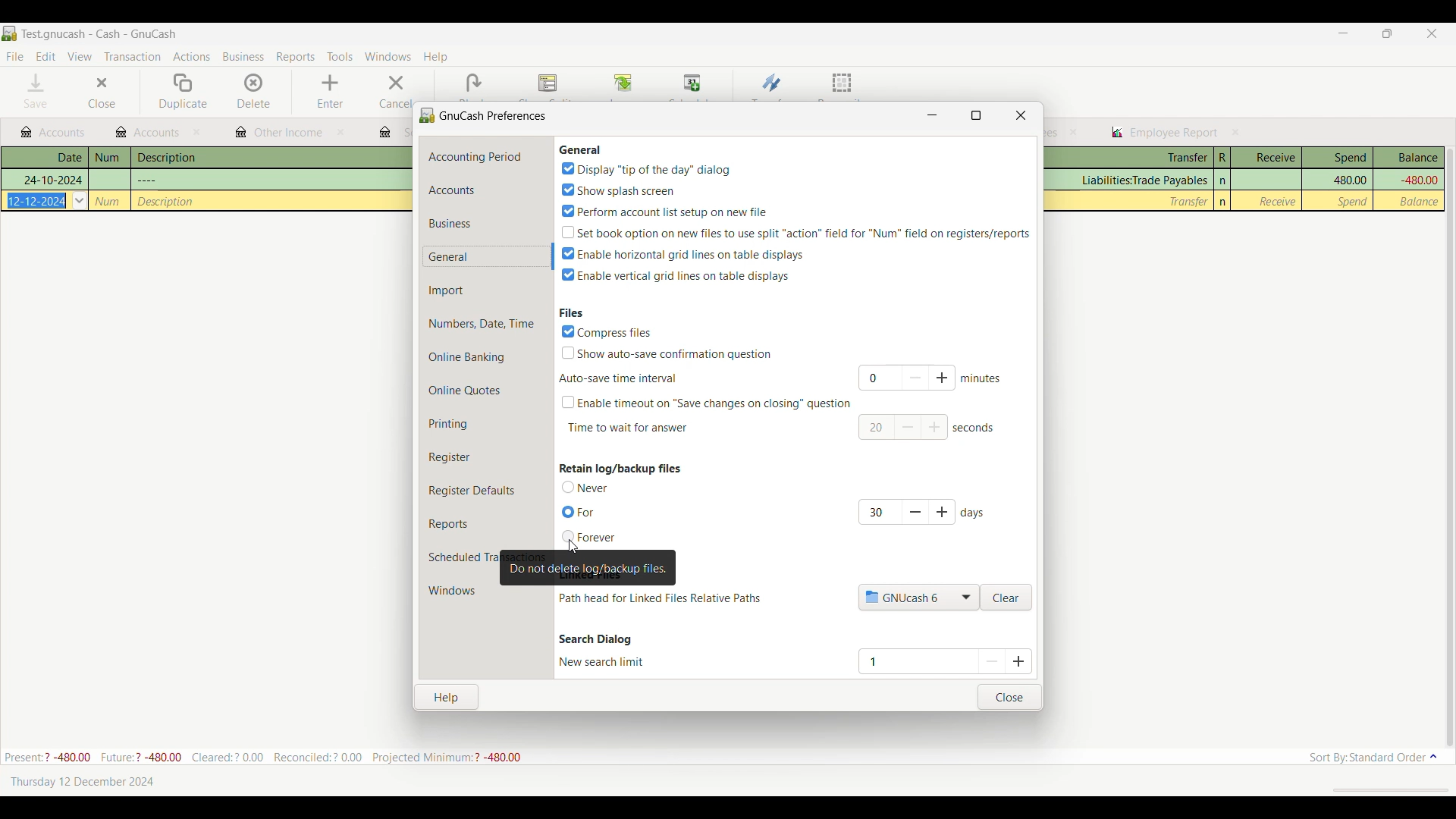  Describe the element at coordinates (46, 57) in the screenshot. I see `Edit menu` at that location.